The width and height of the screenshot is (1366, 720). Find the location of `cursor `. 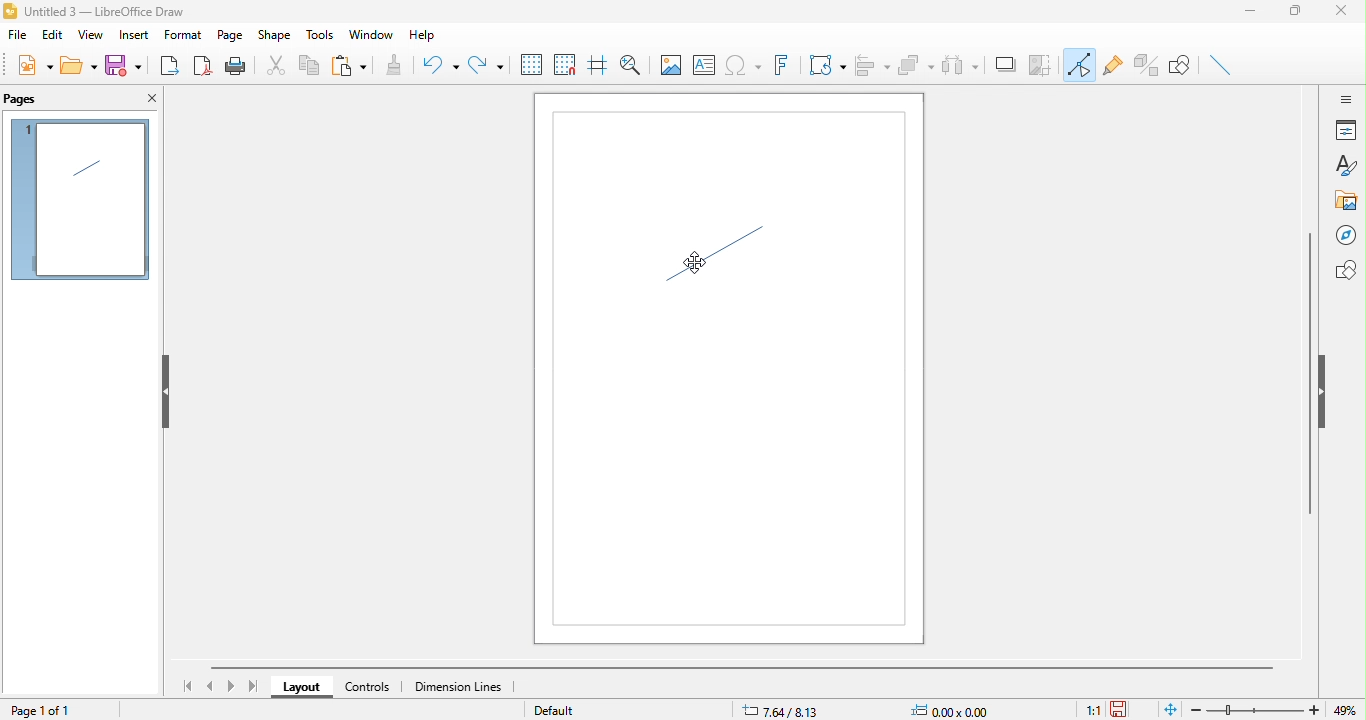

cursor  is located at coordinates (697, 262).